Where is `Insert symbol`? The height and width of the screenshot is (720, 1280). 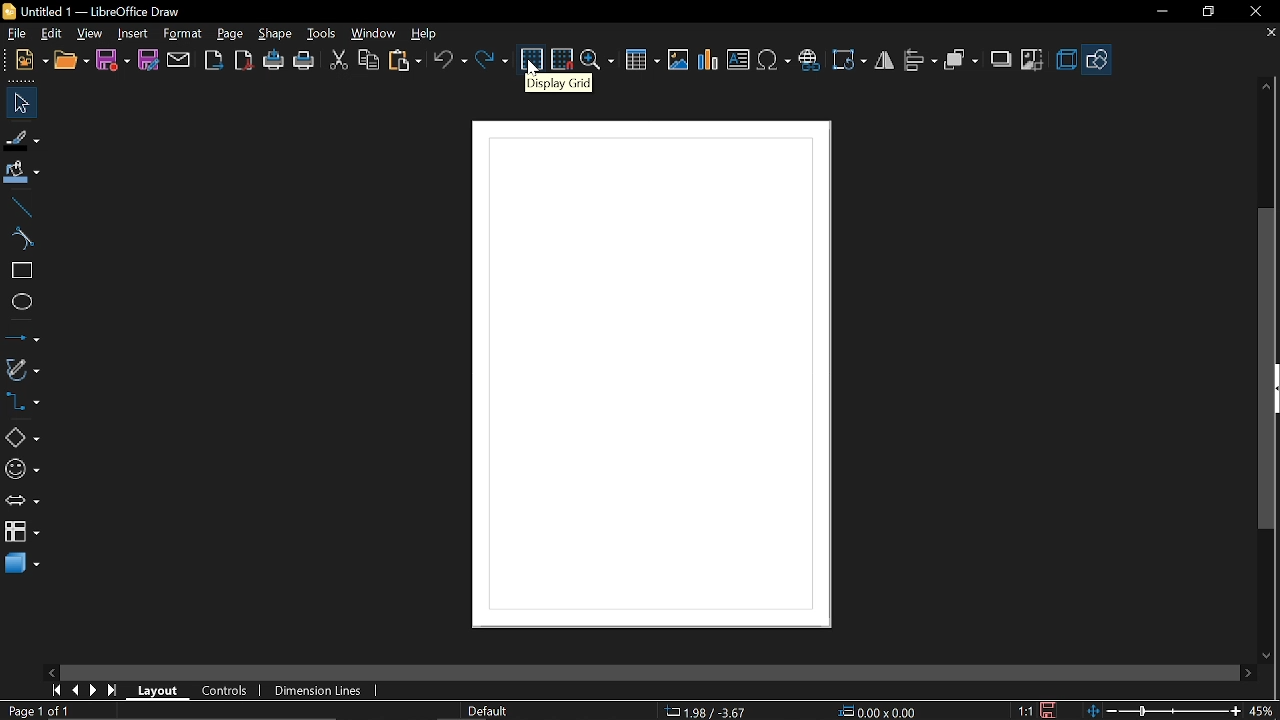
Insert symbol is located at coordinates (774, 59).